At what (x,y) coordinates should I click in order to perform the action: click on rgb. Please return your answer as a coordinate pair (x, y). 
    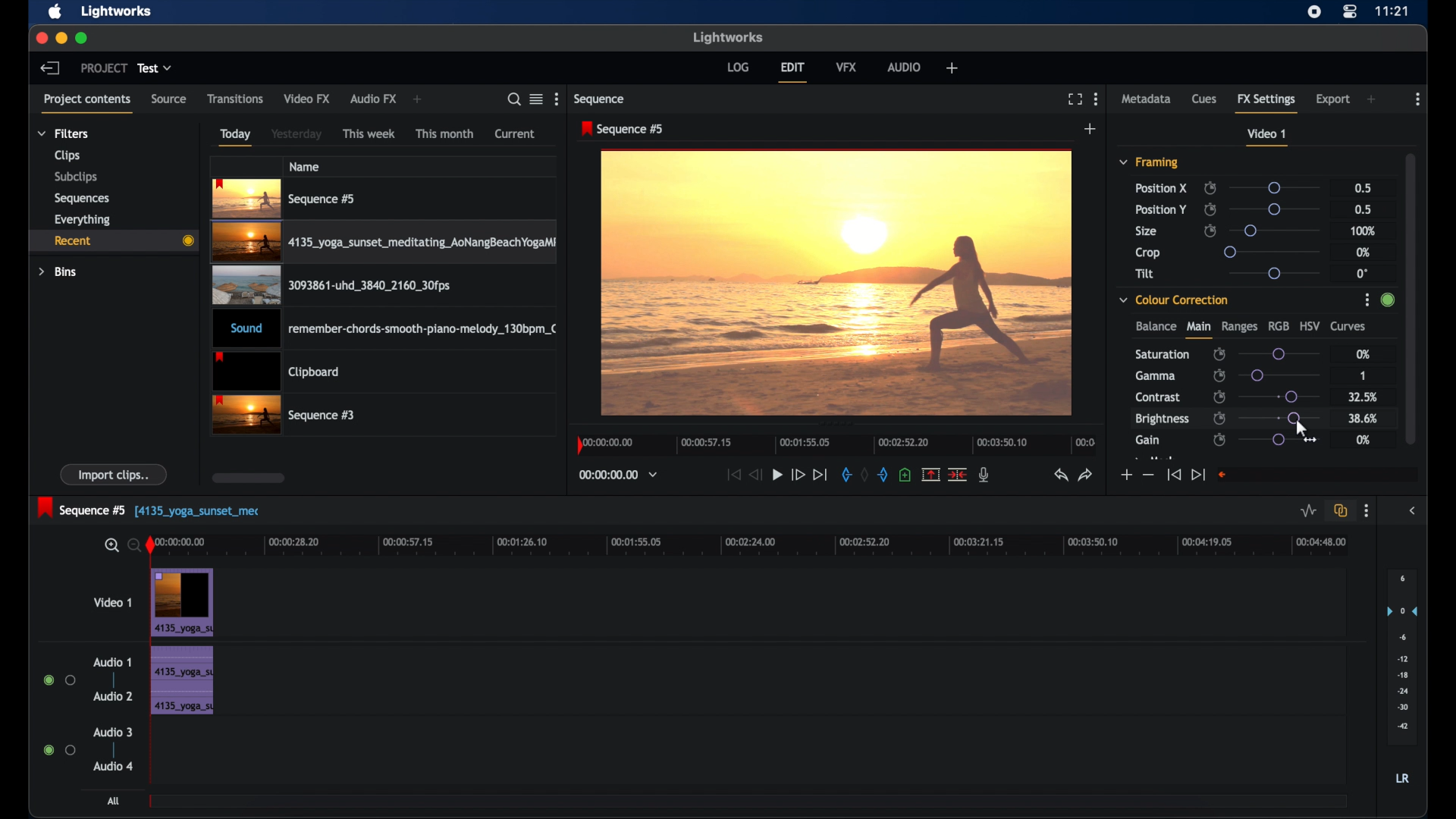
    Looking at the image, I should click on (1275, 325).